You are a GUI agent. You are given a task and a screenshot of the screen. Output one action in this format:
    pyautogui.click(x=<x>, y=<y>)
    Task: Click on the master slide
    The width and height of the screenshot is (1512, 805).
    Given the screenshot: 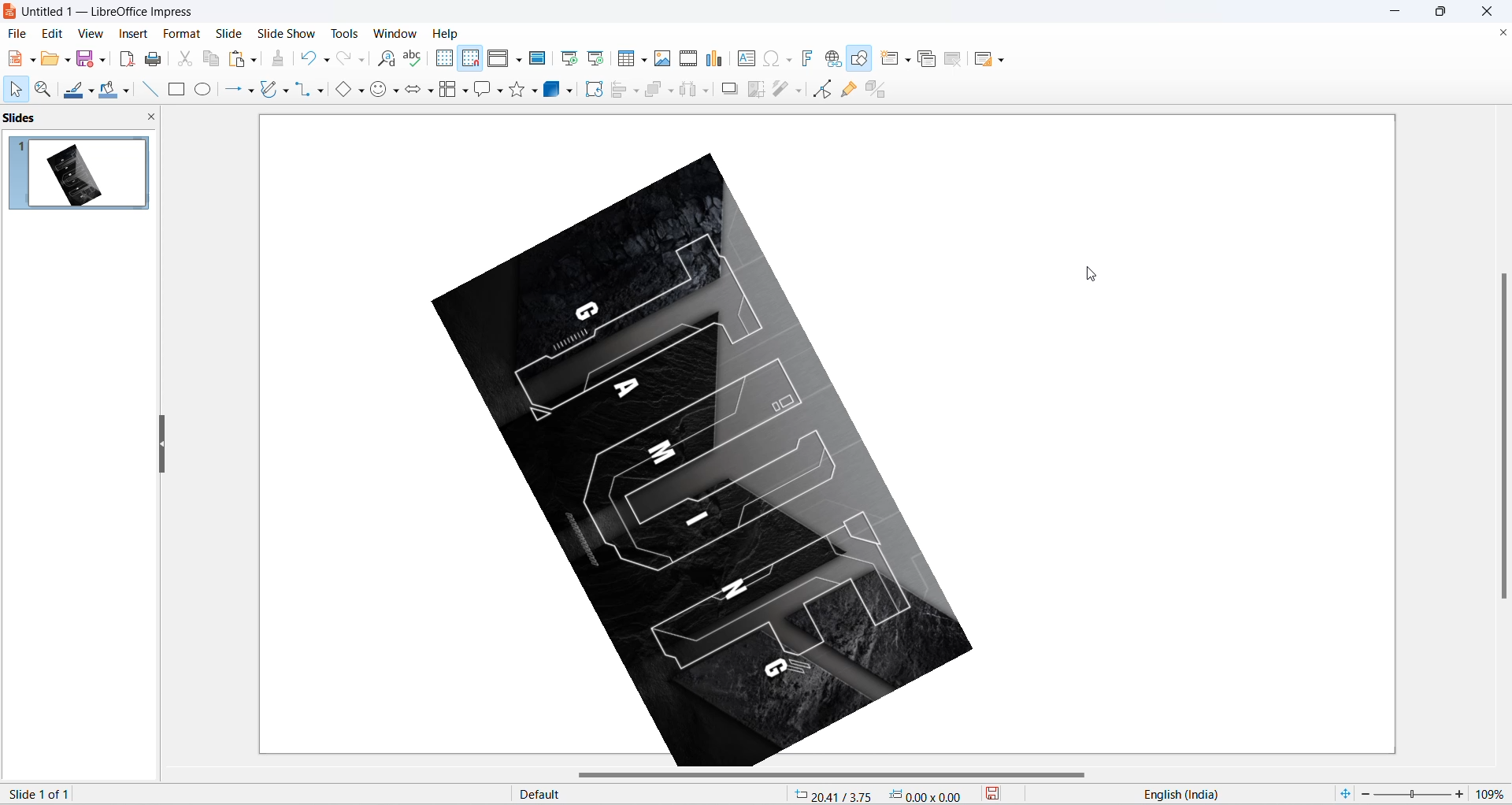 What is the action you would take?
    pyautogui.click(x=539, y=57)
    